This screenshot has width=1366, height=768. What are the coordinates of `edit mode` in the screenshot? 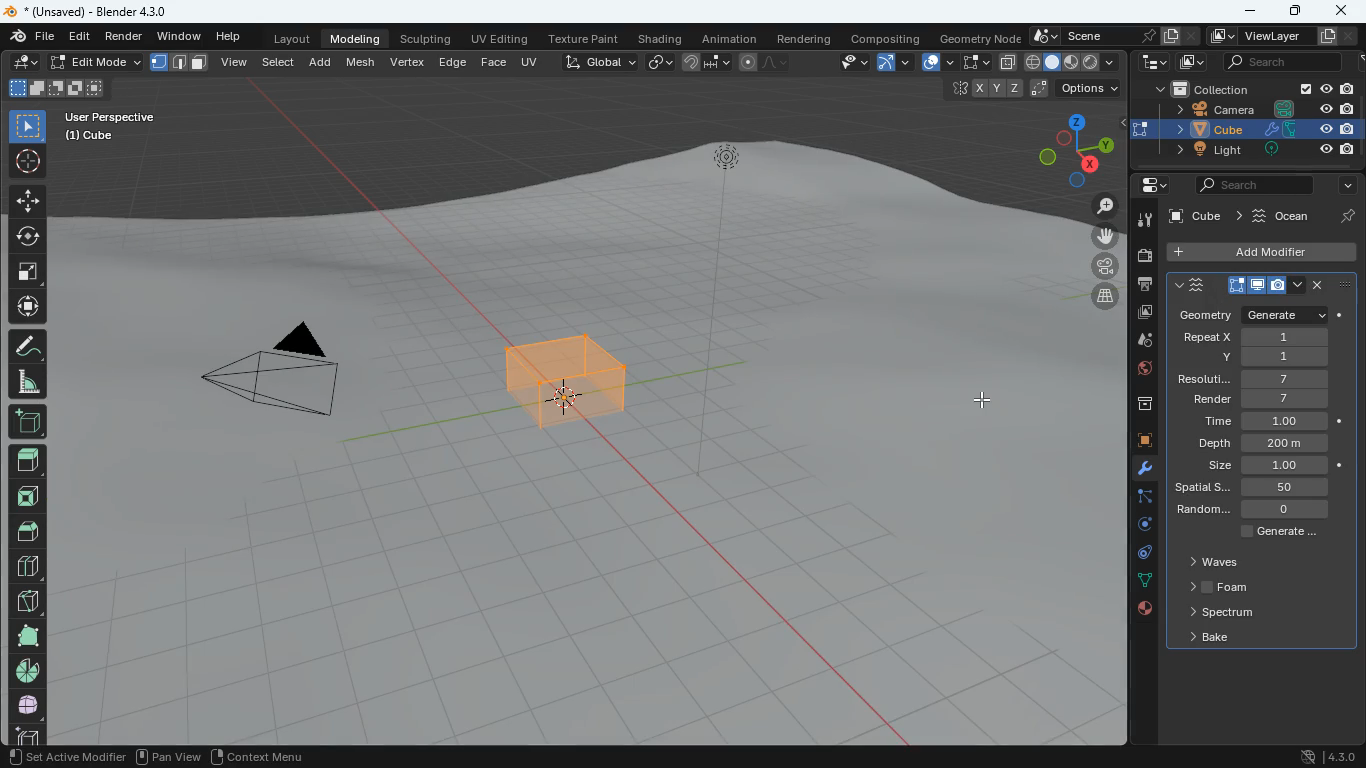 It's located at (93, 63).